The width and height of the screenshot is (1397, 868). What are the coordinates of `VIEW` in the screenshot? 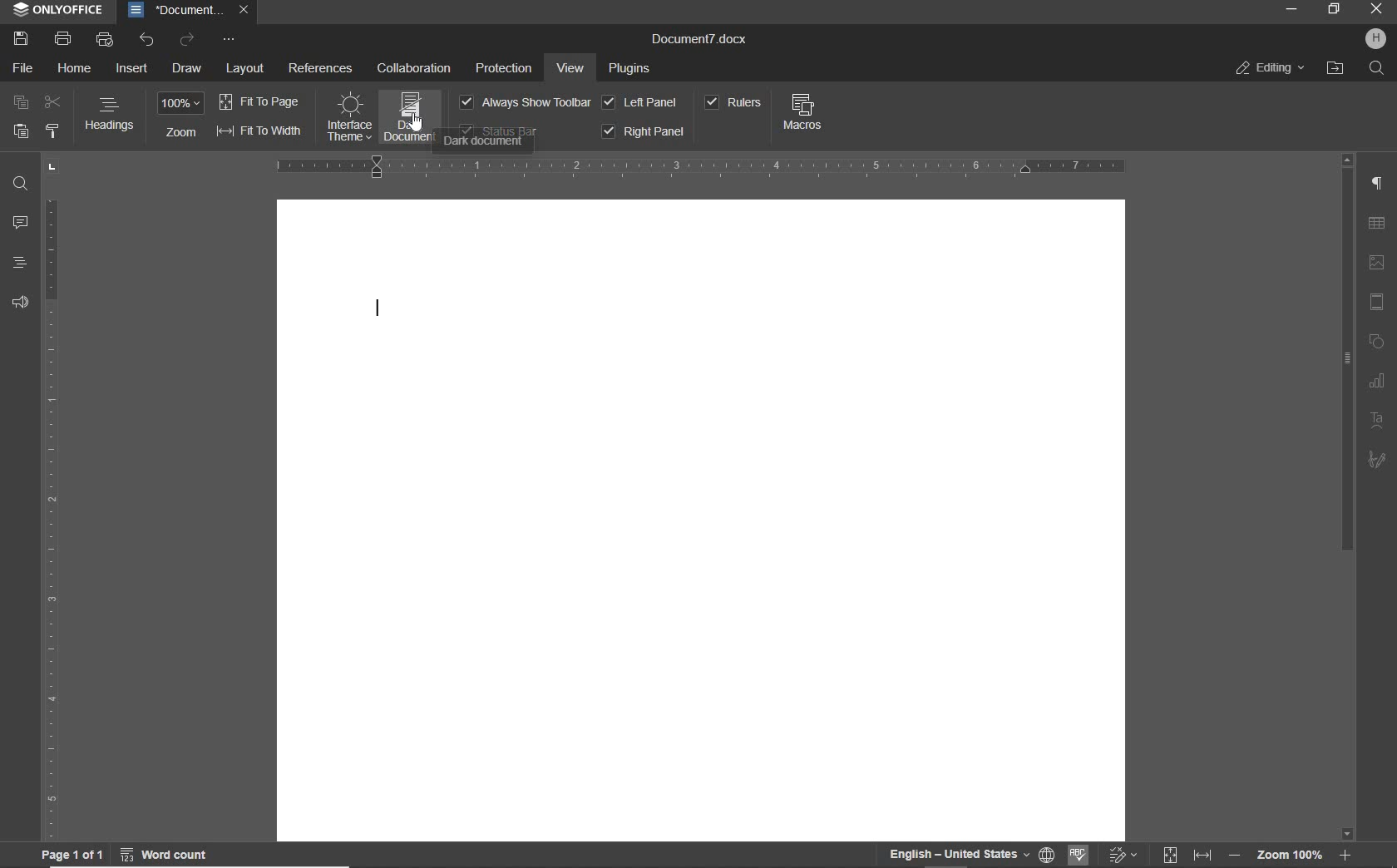 It's located at (570, 70).